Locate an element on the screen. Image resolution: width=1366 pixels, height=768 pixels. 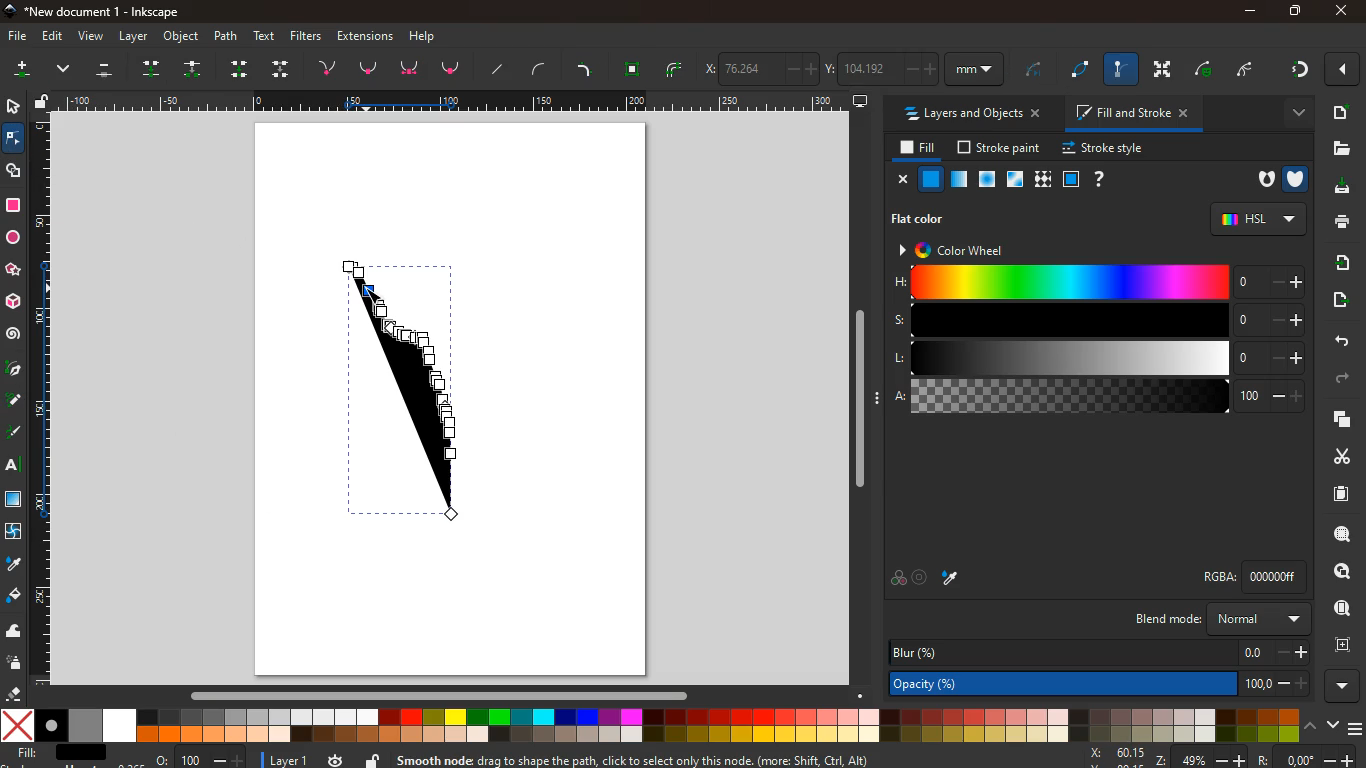
color is located at coordinates (651, 725).